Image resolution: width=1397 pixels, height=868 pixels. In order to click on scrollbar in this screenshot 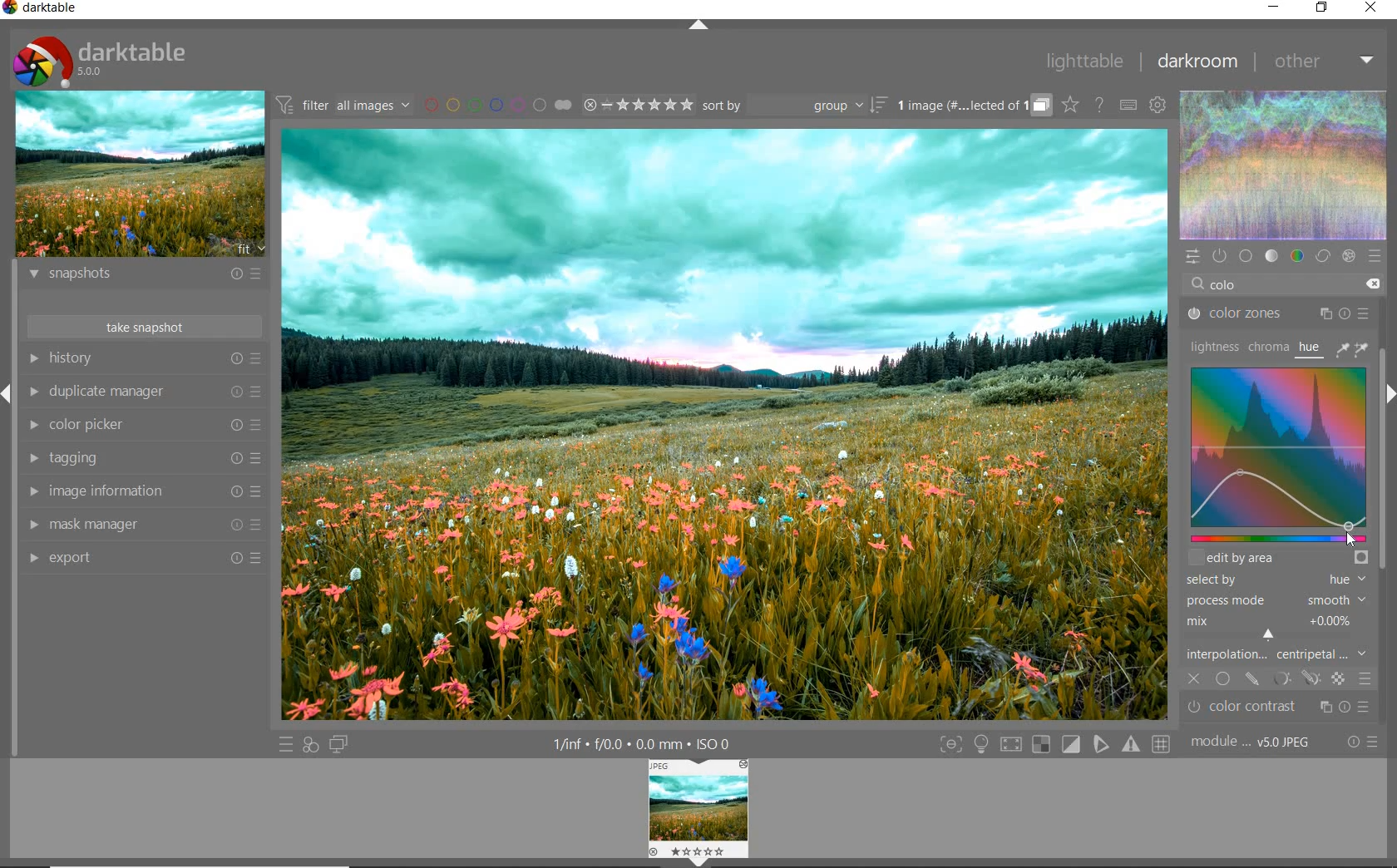, I will do `click(1382, 525)`.